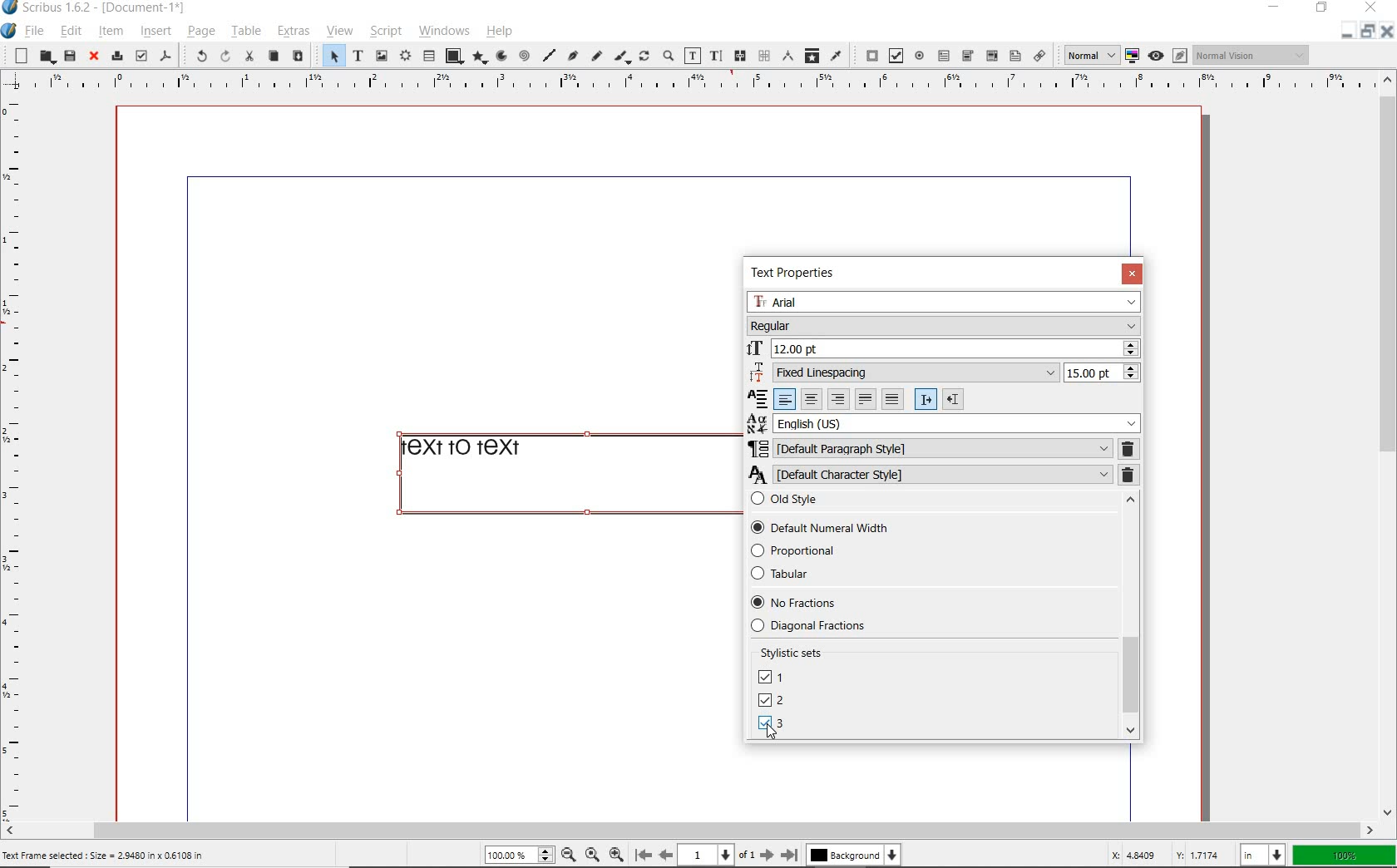 The image size is (1397, 868). I want to click on Horizontal page margin, so click(23, 458).